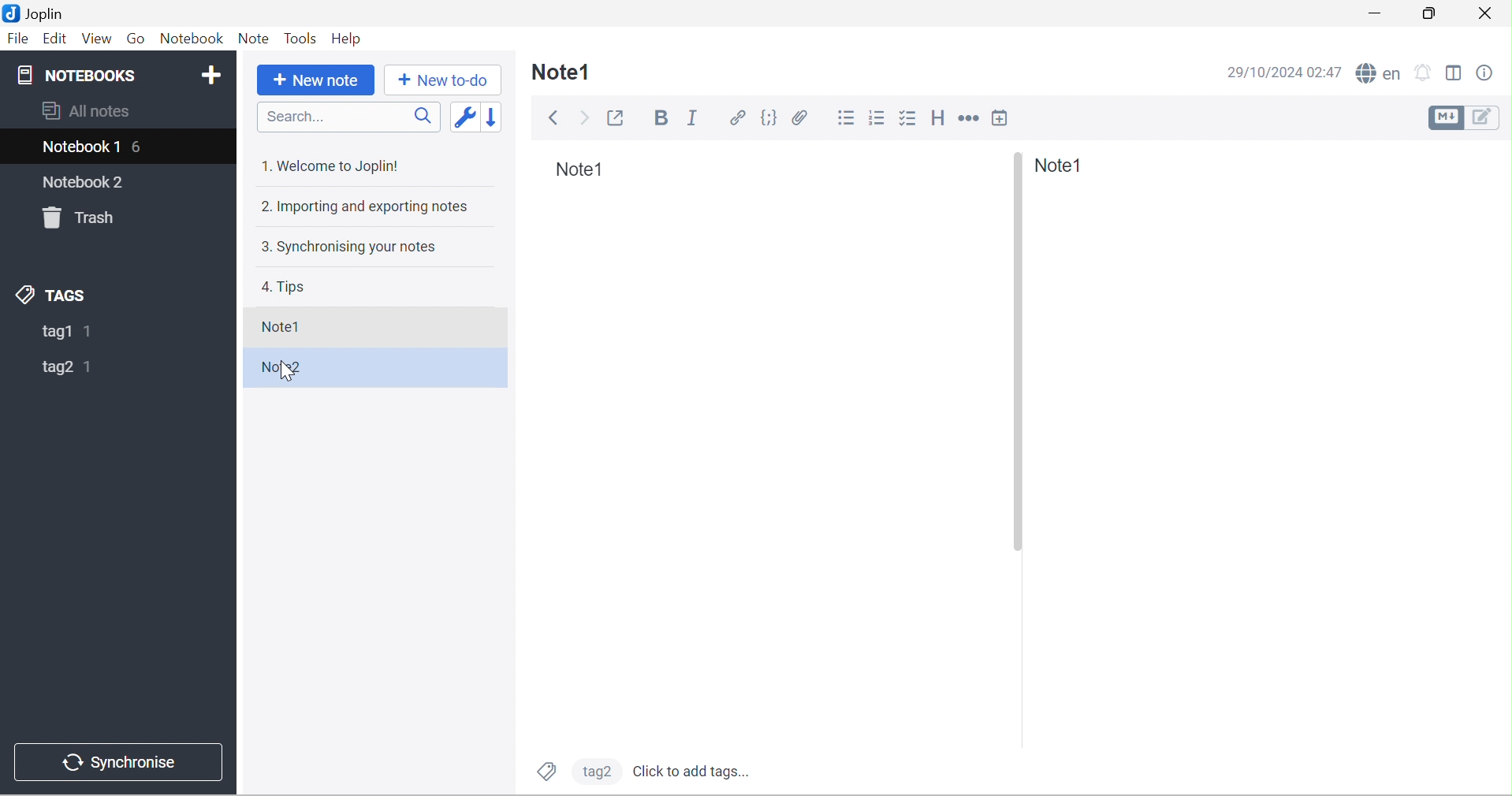  Describe the element at coordinates (54, 296) in the screenshot. I see `TAGS` at that location.